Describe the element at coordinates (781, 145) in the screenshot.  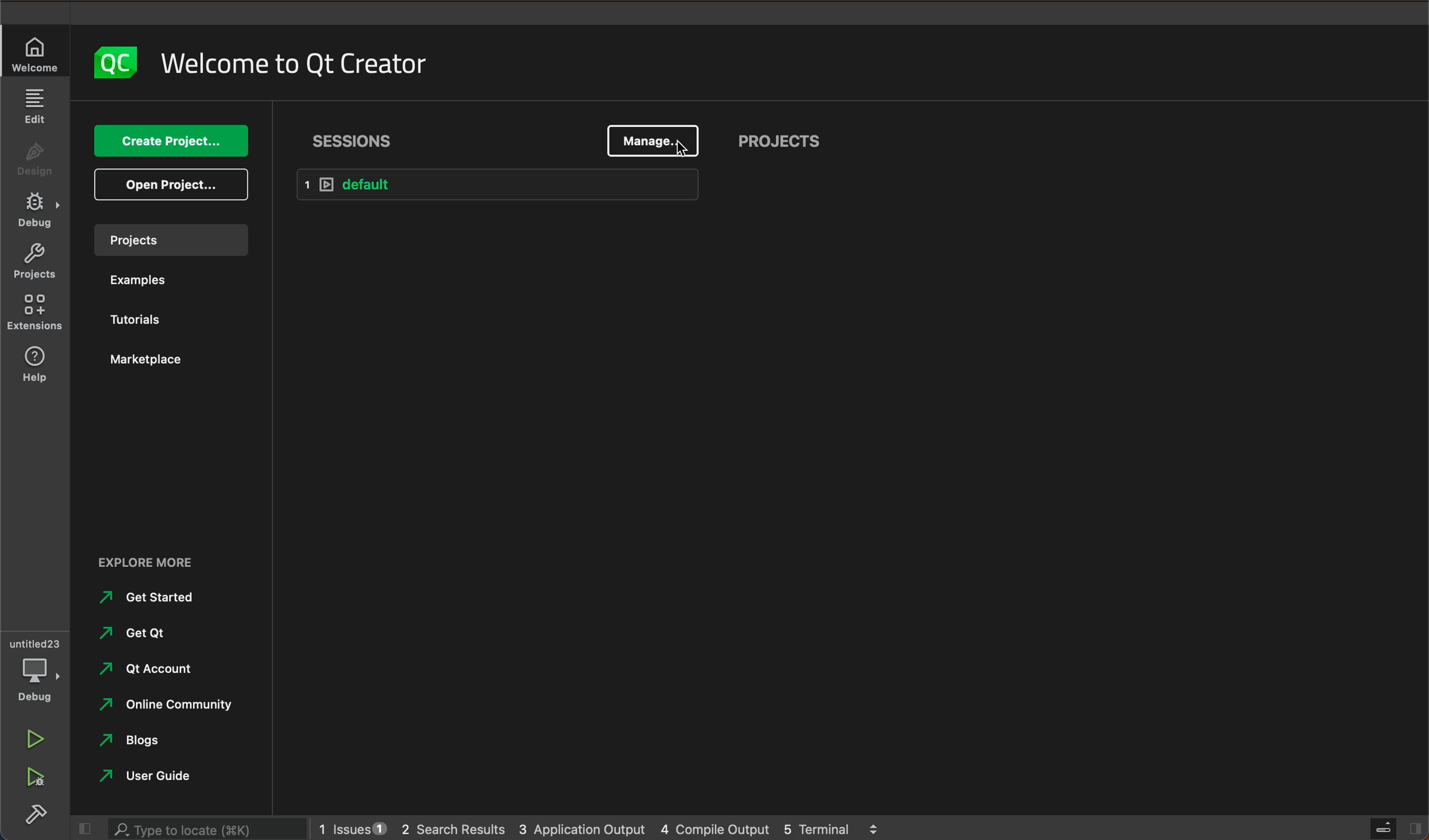
I see `projects` at that location.